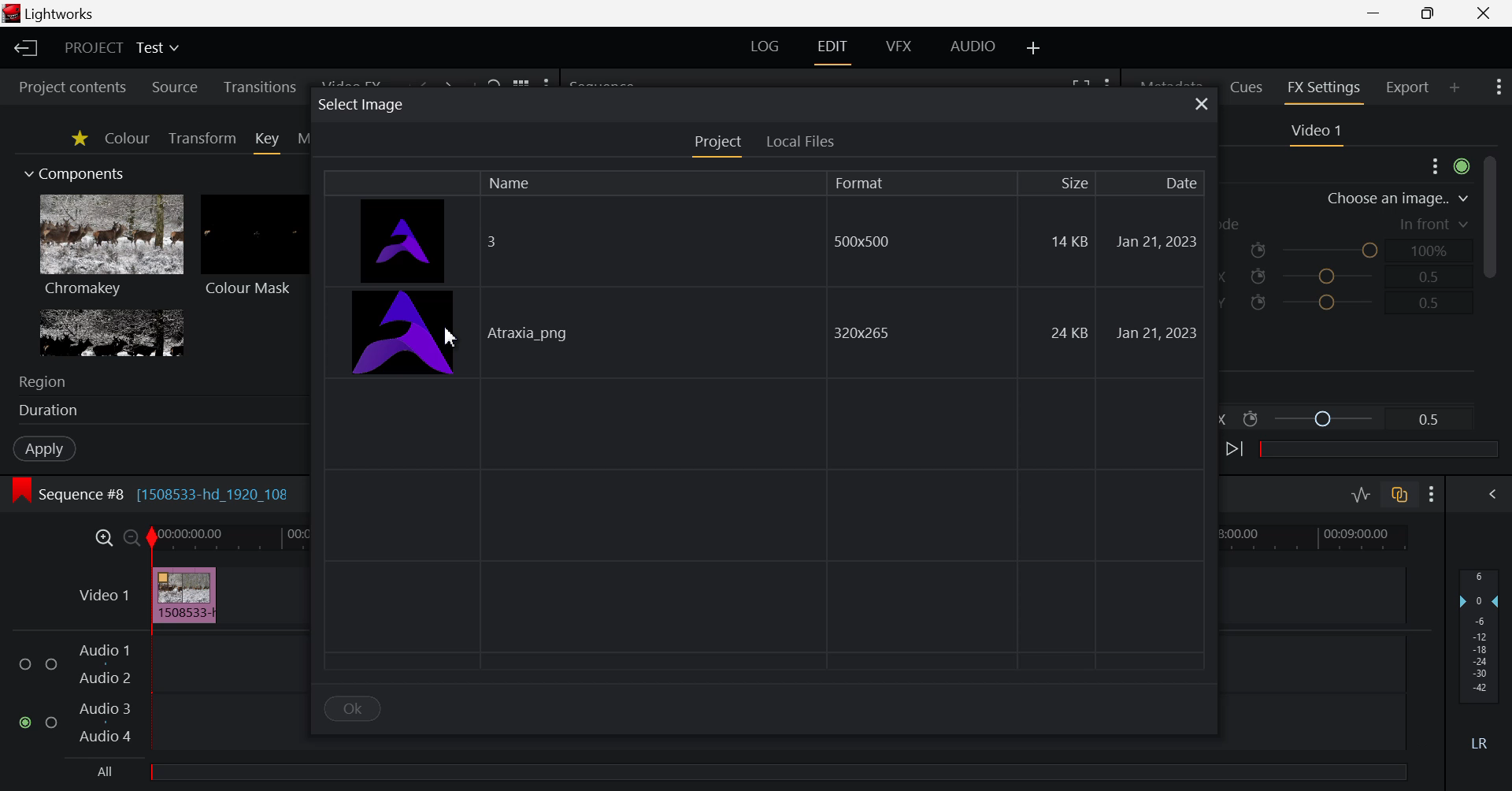 The height and width of the screenshot is (791, 1512). What do you see at coordinates (1323, 417) in the screenshot?
I see `Position X` at bounding box center [1323, 417].